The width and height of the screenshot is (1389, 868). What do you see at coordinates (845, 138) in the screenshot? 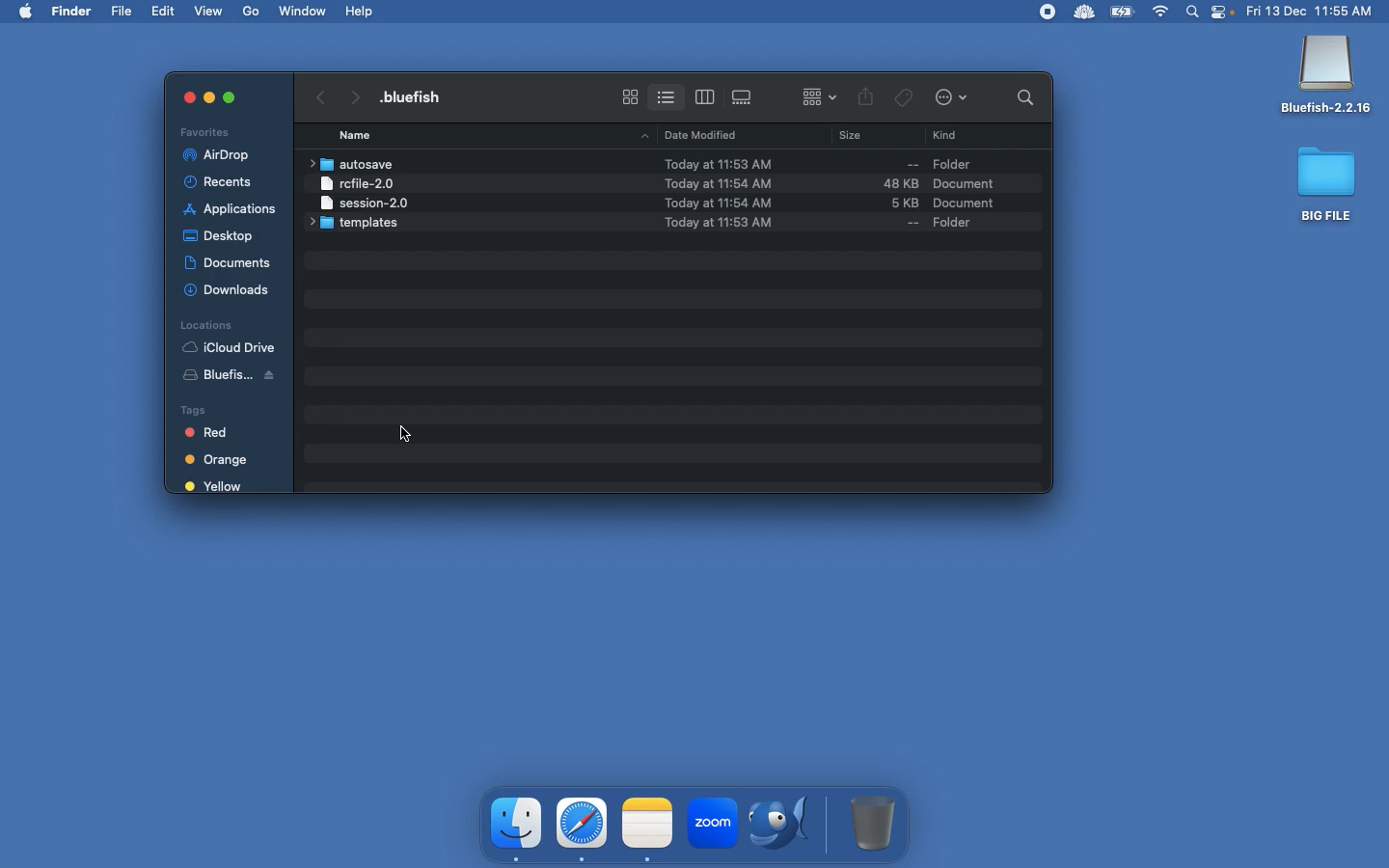
I see `size` at bounding box center [845, 138].